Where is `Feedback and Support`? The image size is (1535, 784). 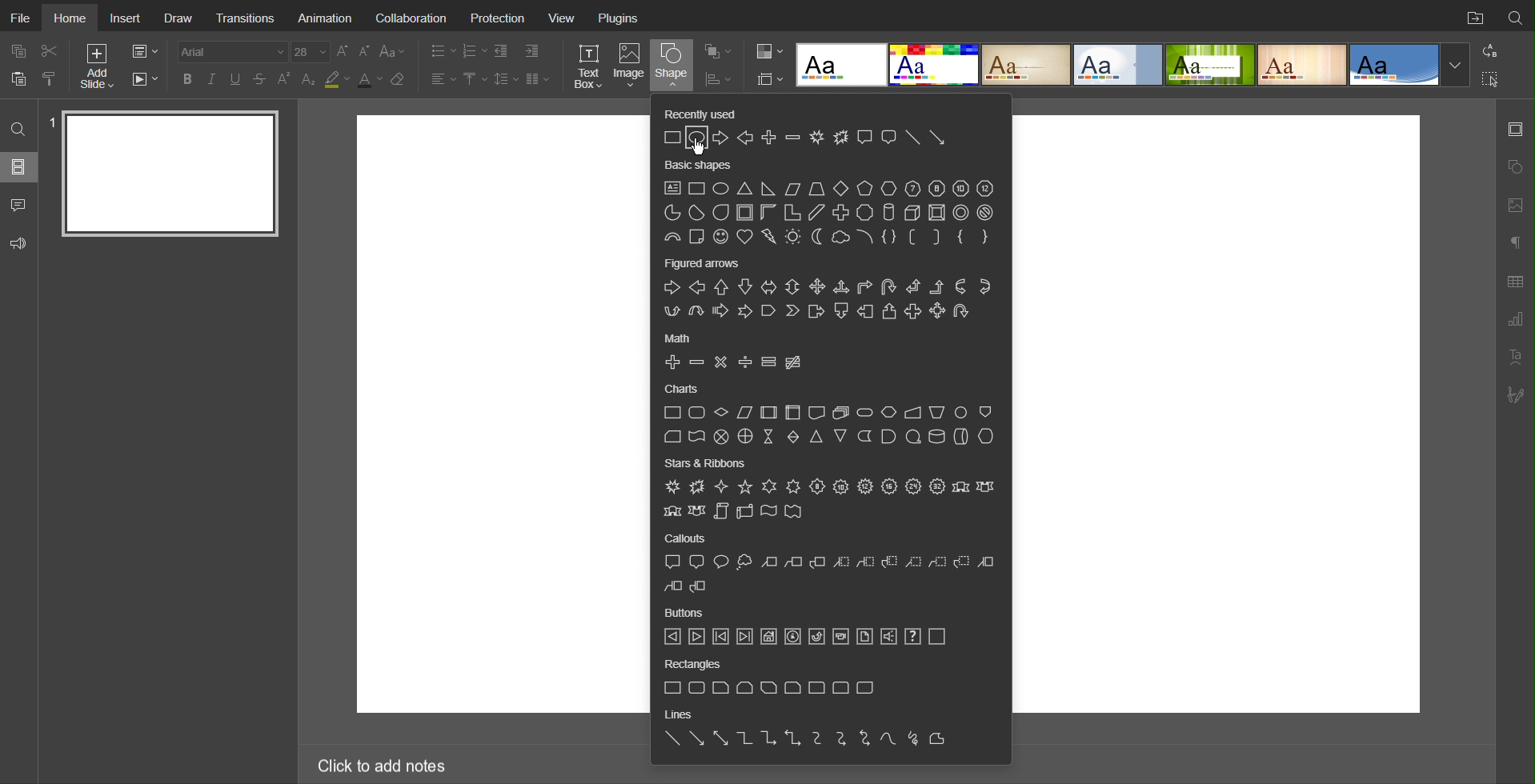
Feedback and Support is located at coordinates (18, 244).